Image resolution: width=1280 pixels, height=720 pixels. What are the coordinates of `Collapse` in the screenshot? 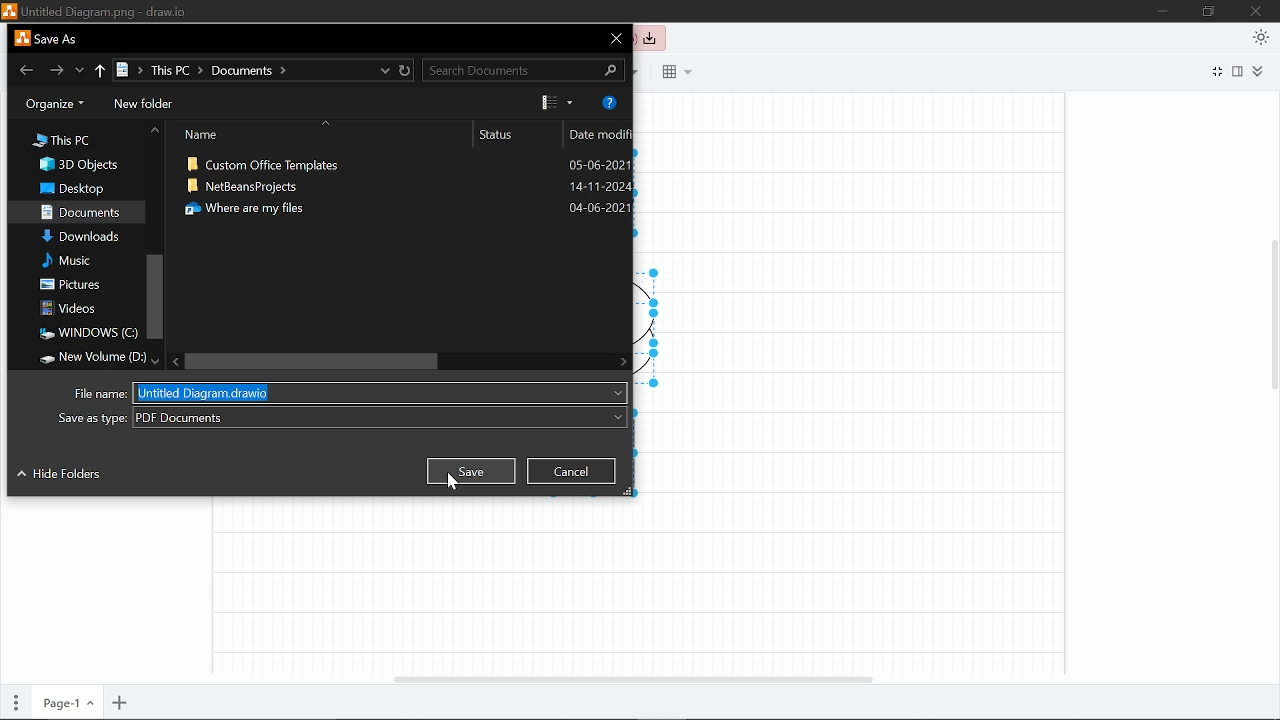 It's located at (1257, 71).